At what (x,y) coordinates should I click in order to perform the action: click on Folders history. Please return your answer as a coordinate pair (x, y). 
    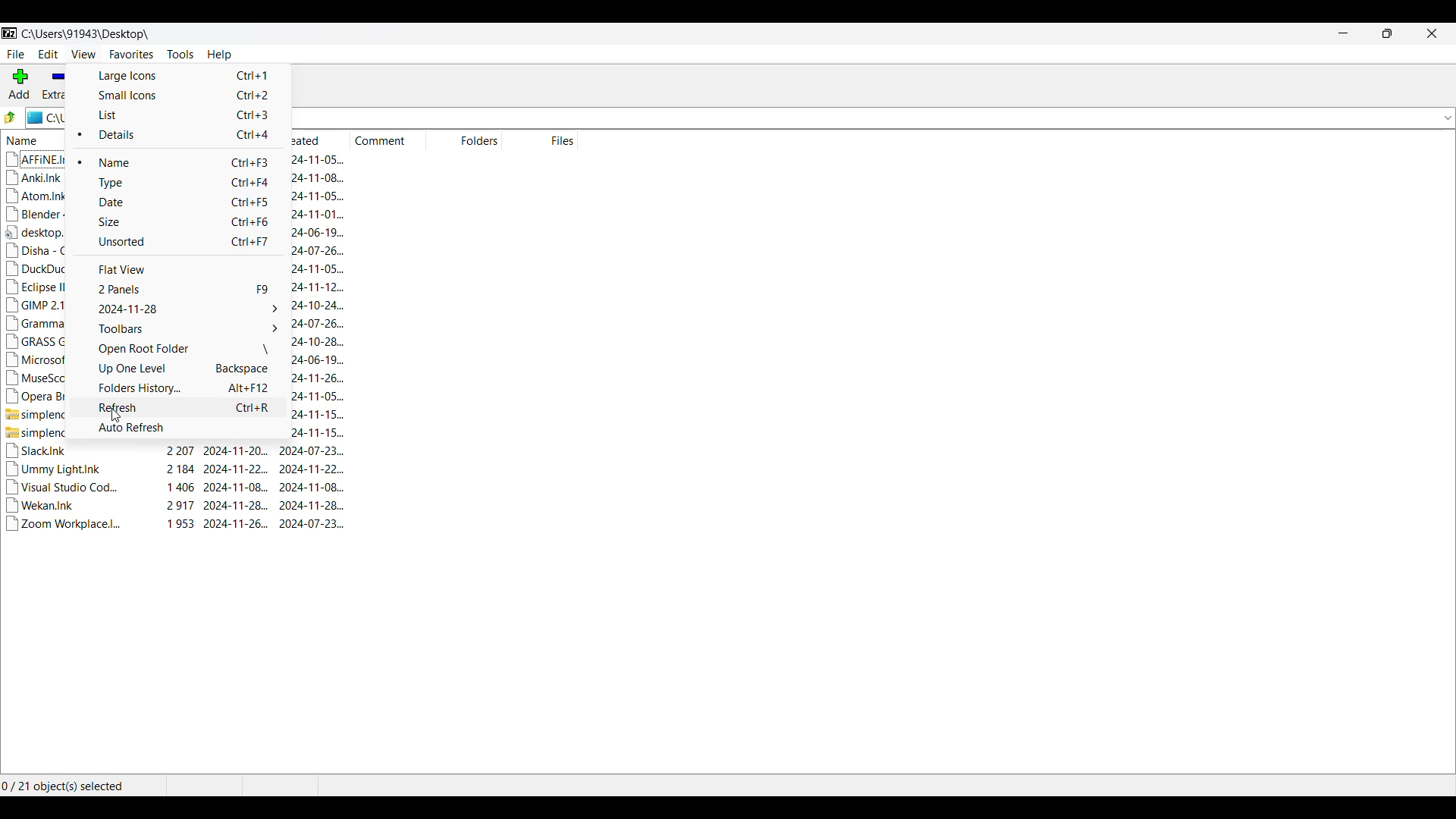
    Looking at the image, I should click on (177, 388).